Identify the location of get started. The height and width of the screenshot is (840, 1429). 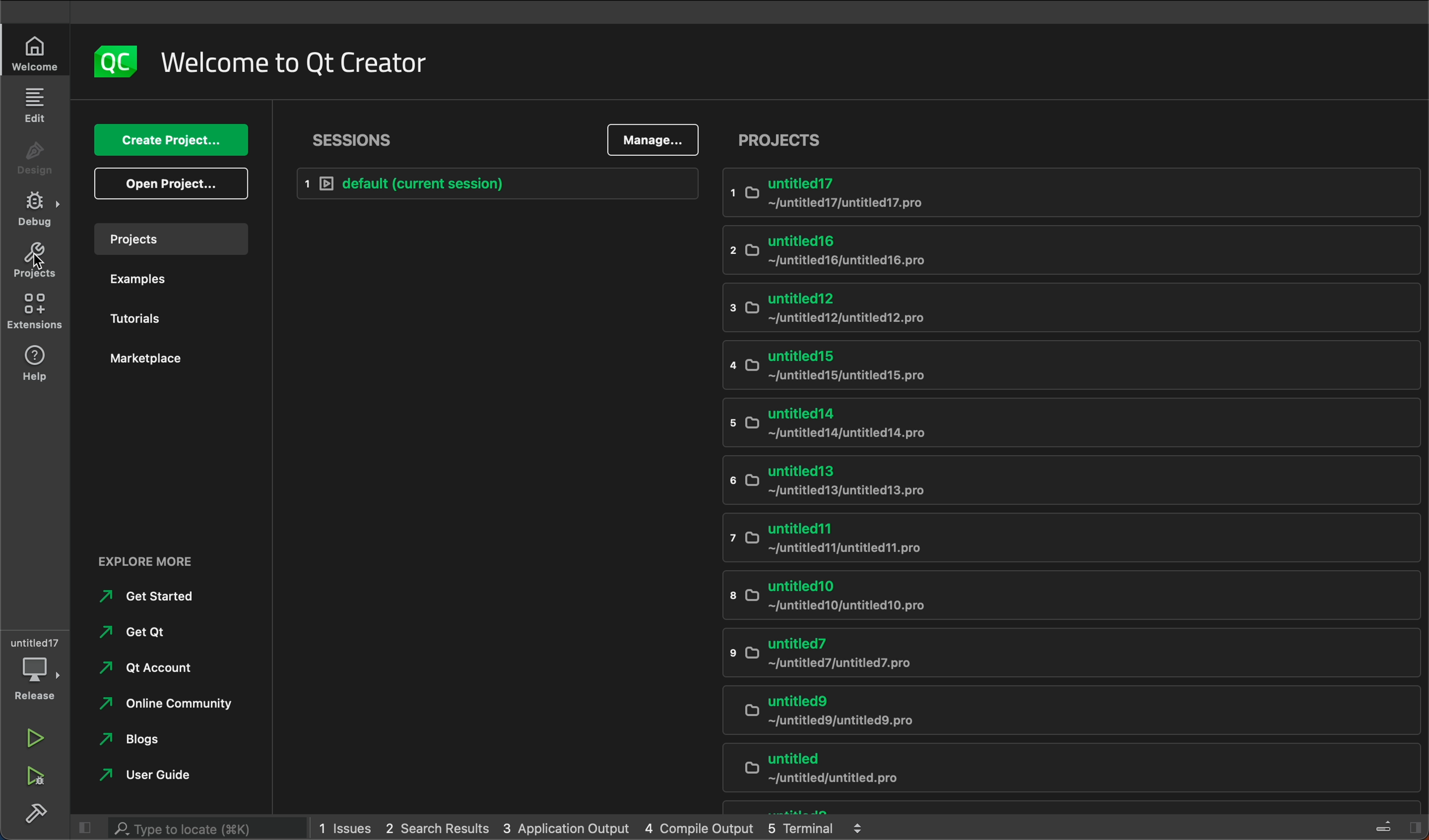
(164, 596).